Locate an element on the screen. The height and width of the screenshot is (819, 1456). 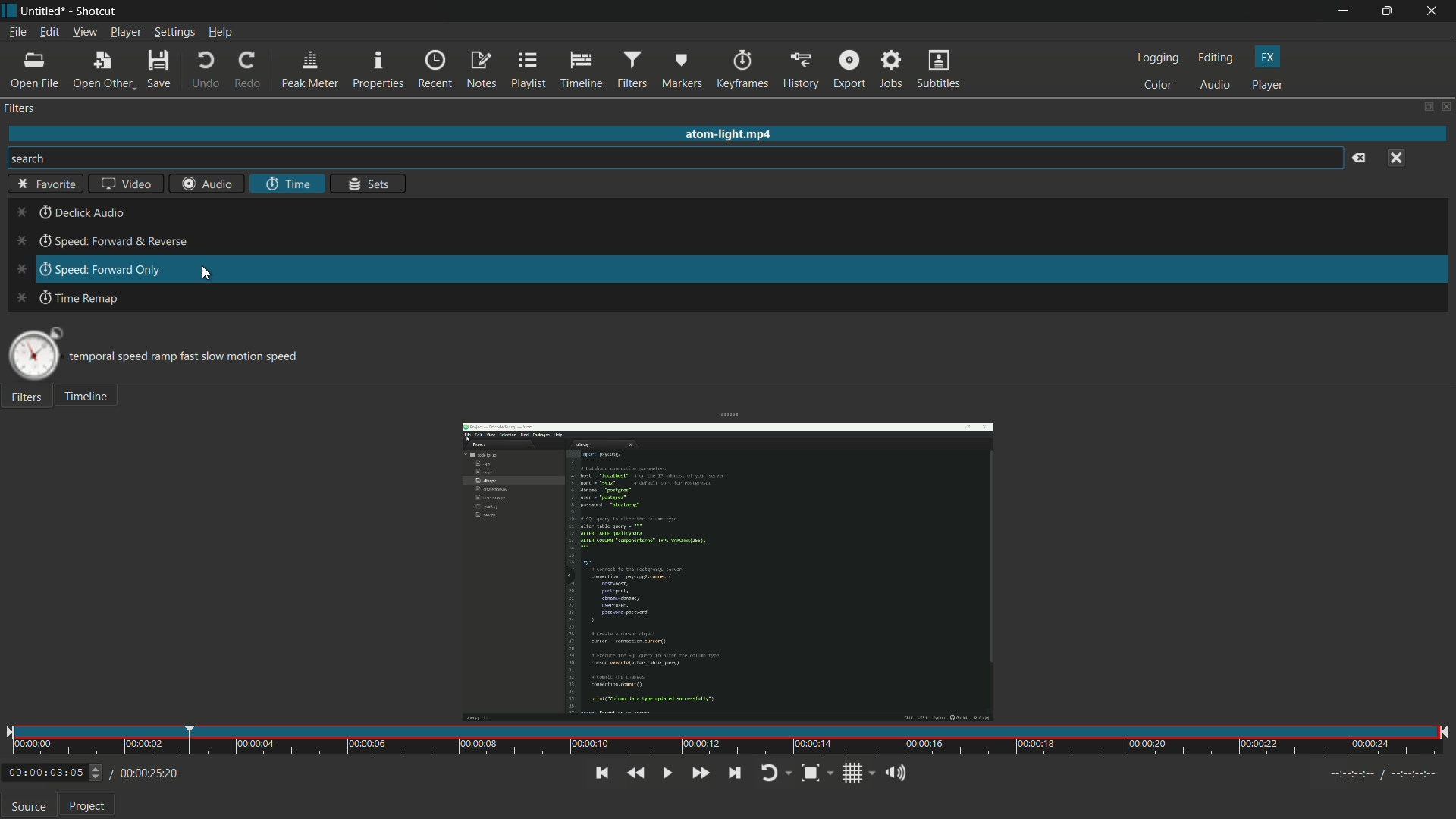
change layout is located at coordinates (1426, 107).